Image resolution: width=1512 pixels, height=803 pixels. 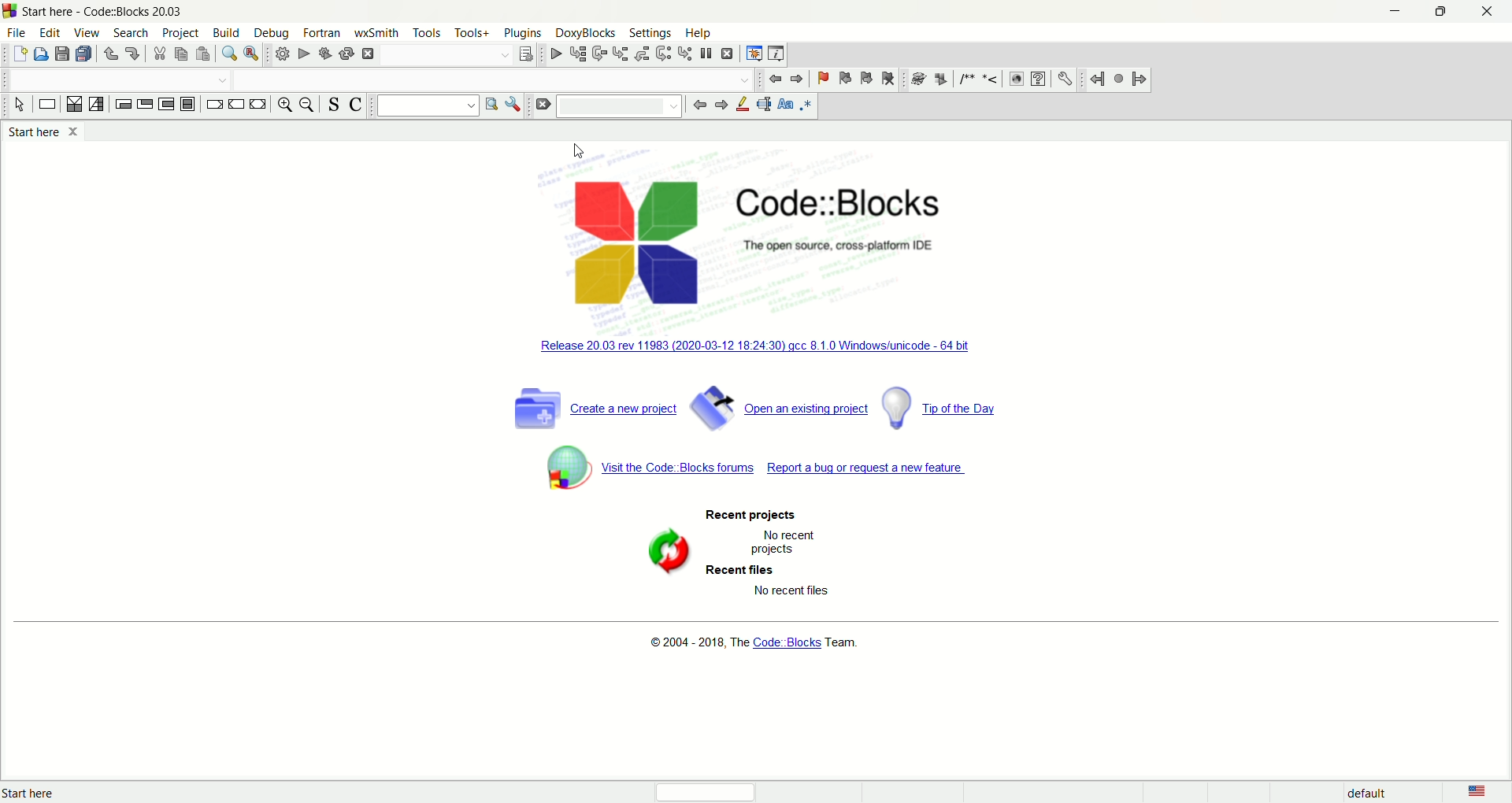 I want to click on file, so click(x=20, y=33).